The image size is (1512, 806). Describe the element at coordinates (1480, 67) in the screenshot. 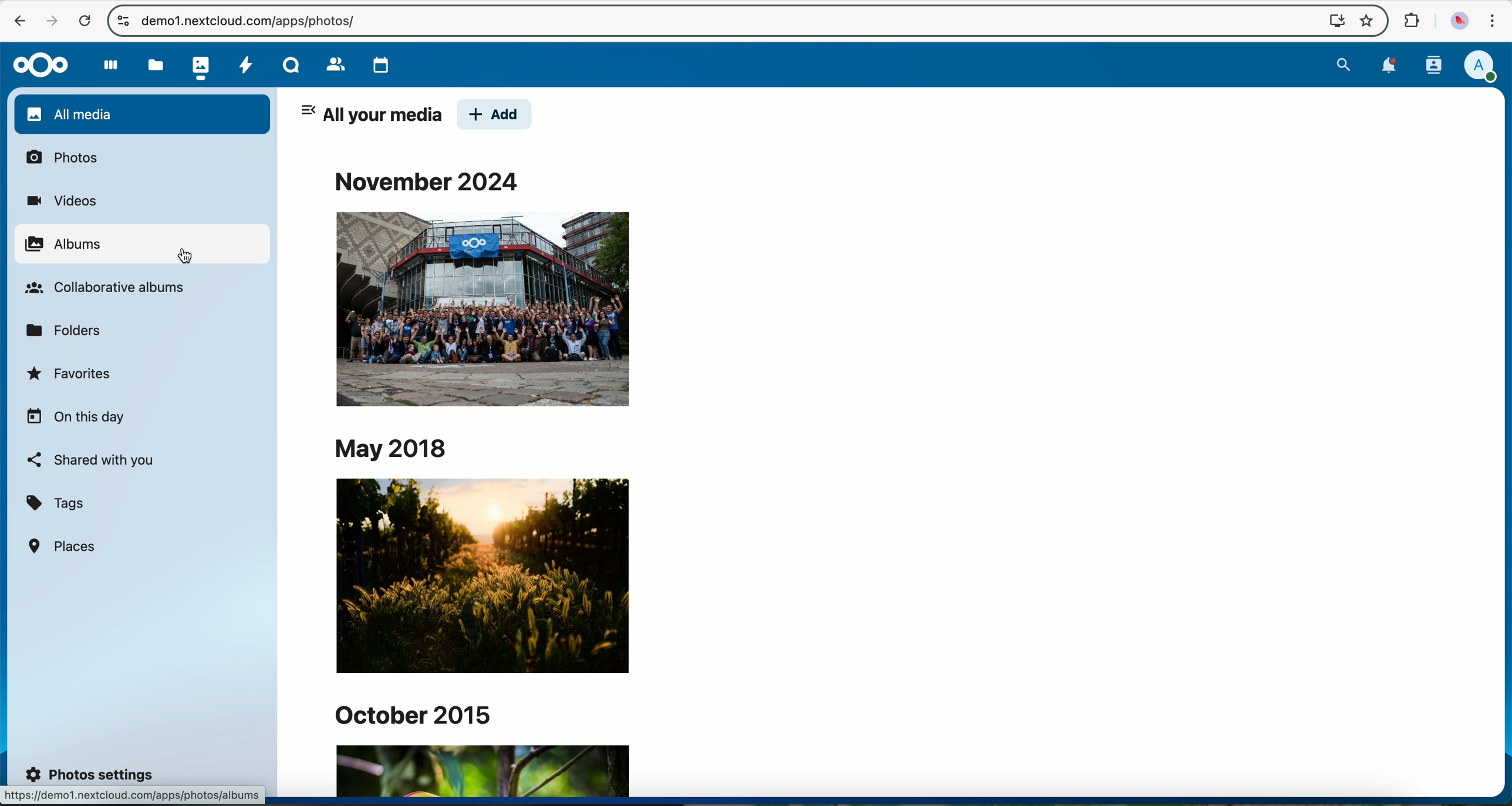

I see `profile` at that location.